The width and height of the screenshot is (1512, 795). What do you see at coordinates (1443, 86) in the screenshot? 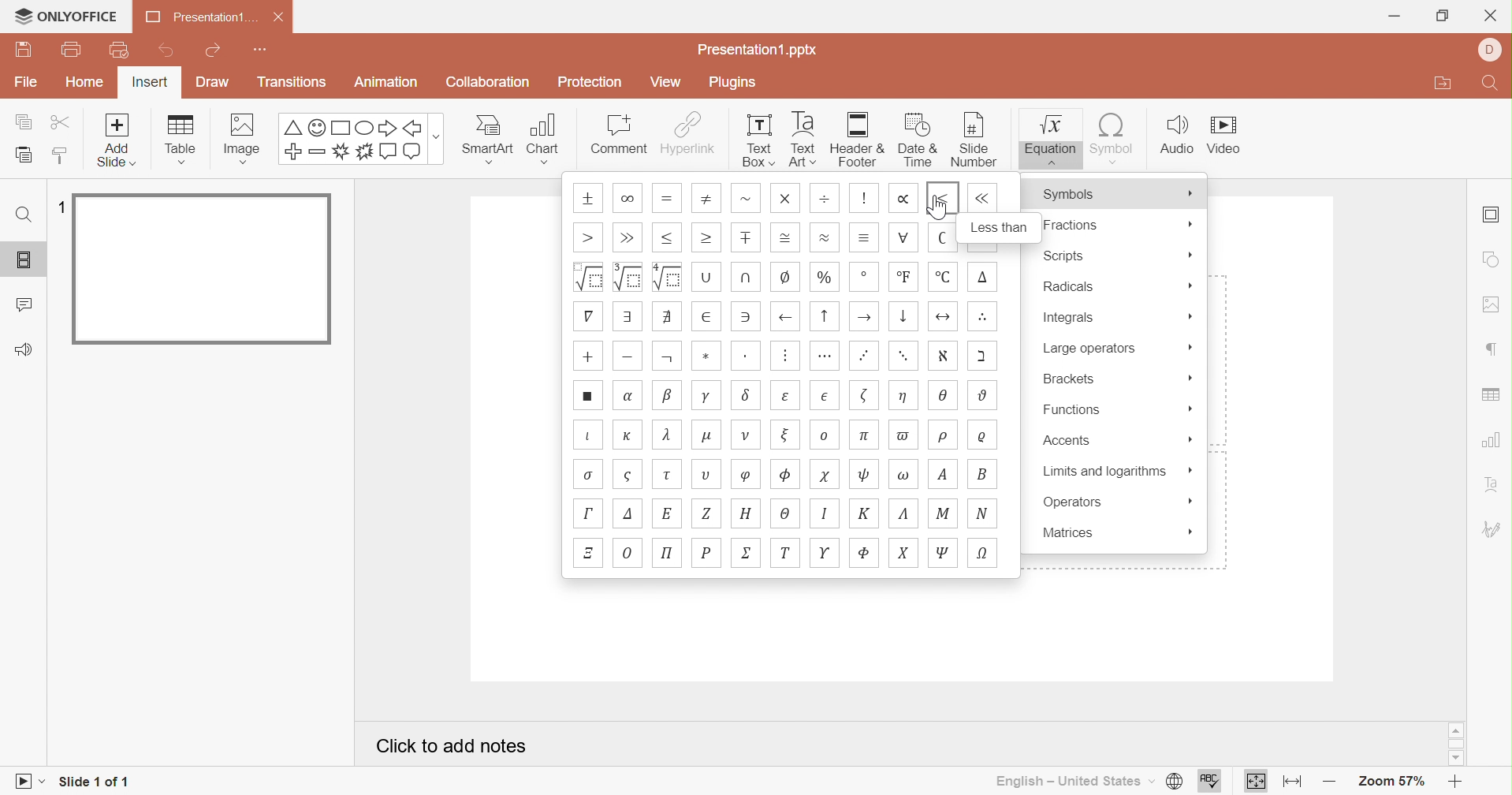
I see `Open file location` at bounding box center [1443, 86].